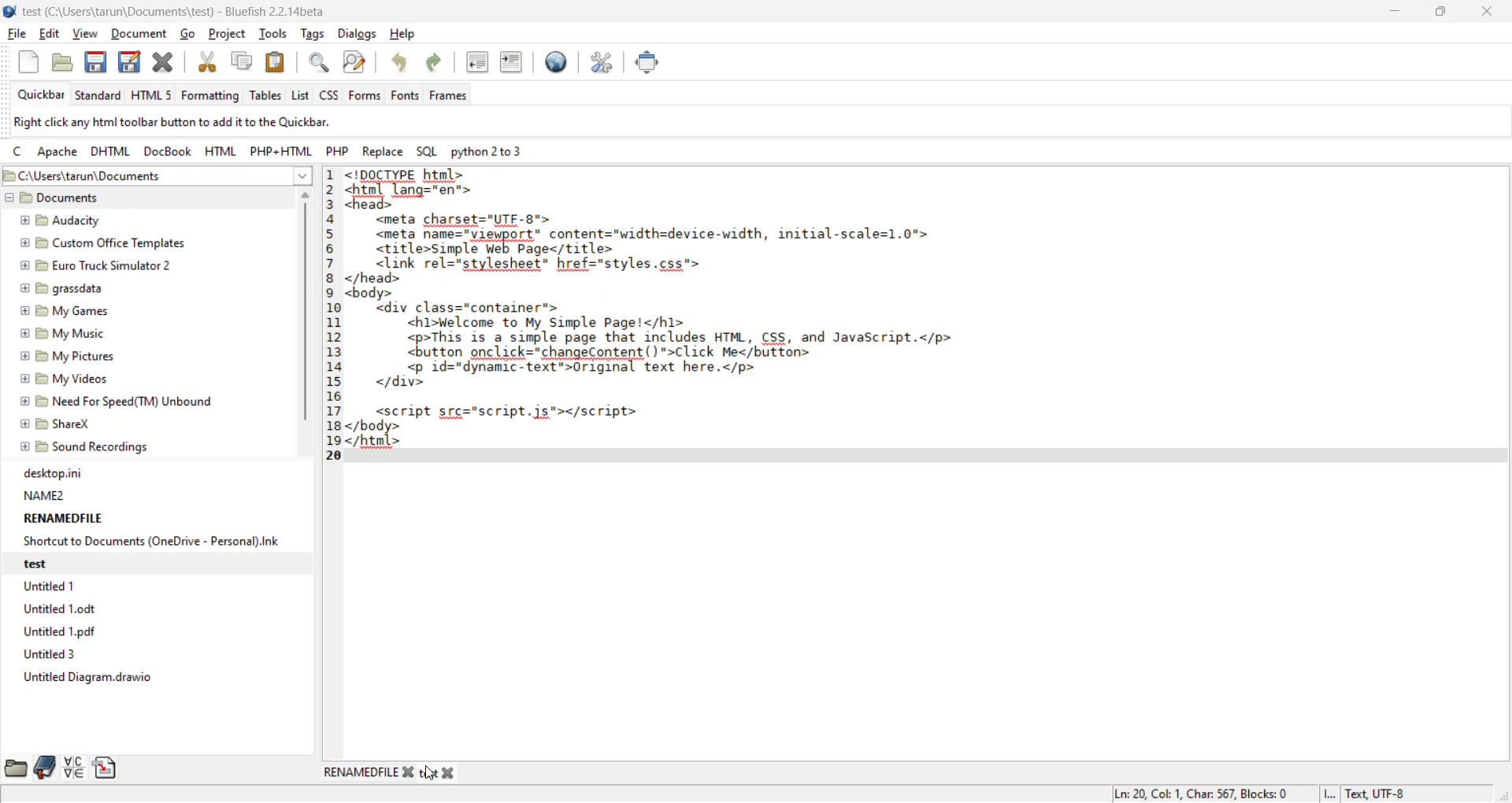  Describe the element at coordinates (478, 62) in the screenshot. I see `unindent` at that location.